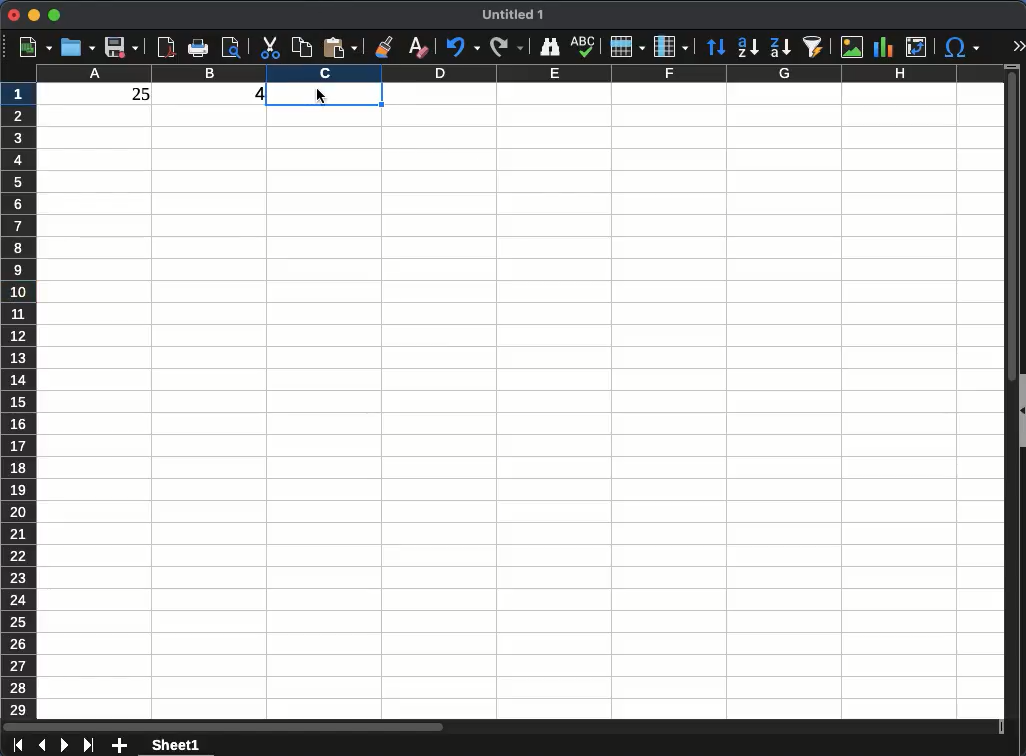 The image size is (1026, 756). What do you see at coordinates (166, 49) in the screenshot?
I see `pdf preview` at bounding box center [166, 49].